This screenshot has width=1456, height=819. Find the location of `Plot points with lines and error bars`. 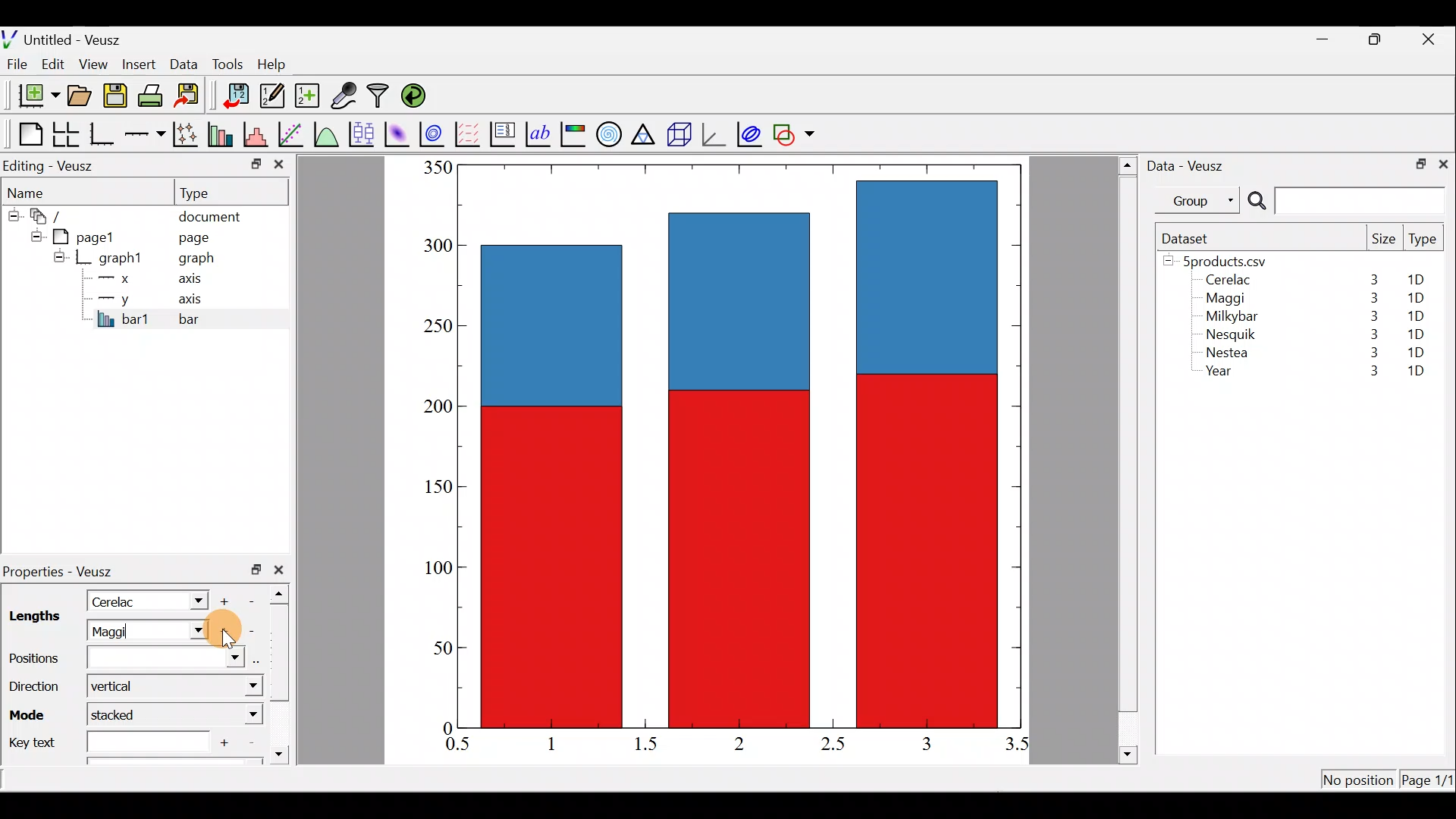

Plot points with lines and error bars is located at coordinates (188, 135).